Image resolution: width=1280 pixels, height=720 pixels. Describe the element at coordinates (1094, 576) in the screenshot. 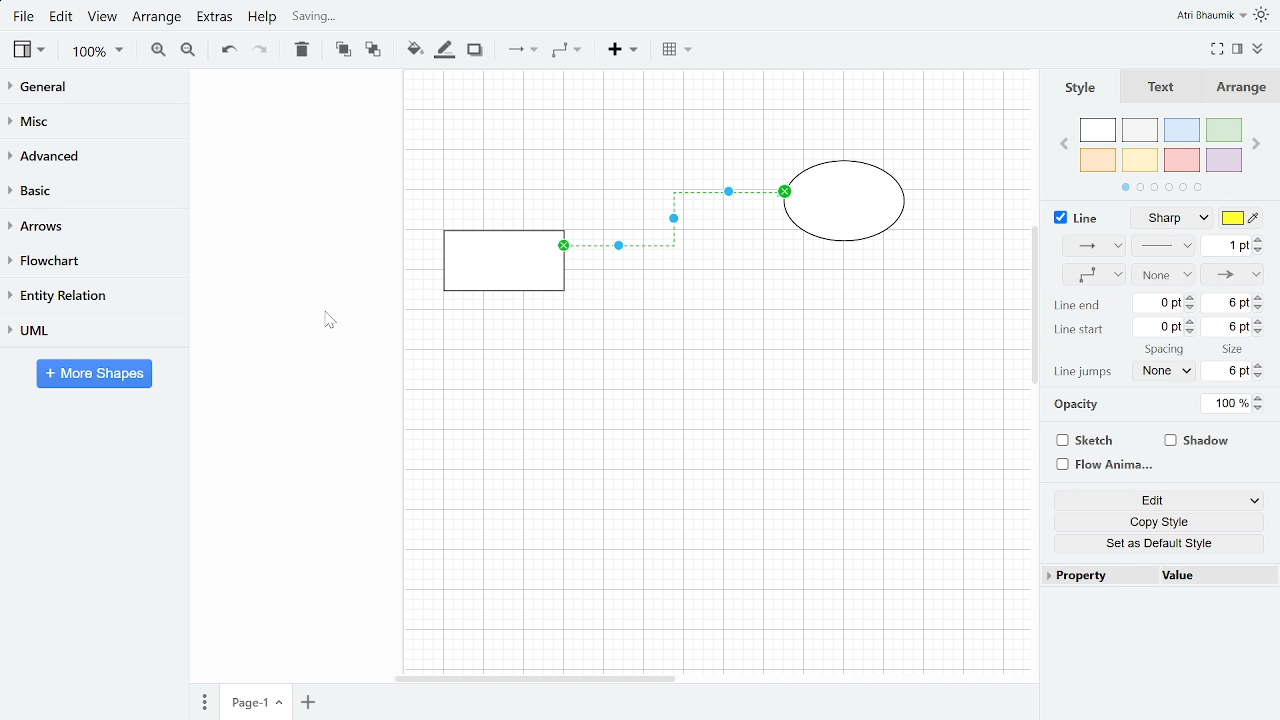

I see `property` at that location.